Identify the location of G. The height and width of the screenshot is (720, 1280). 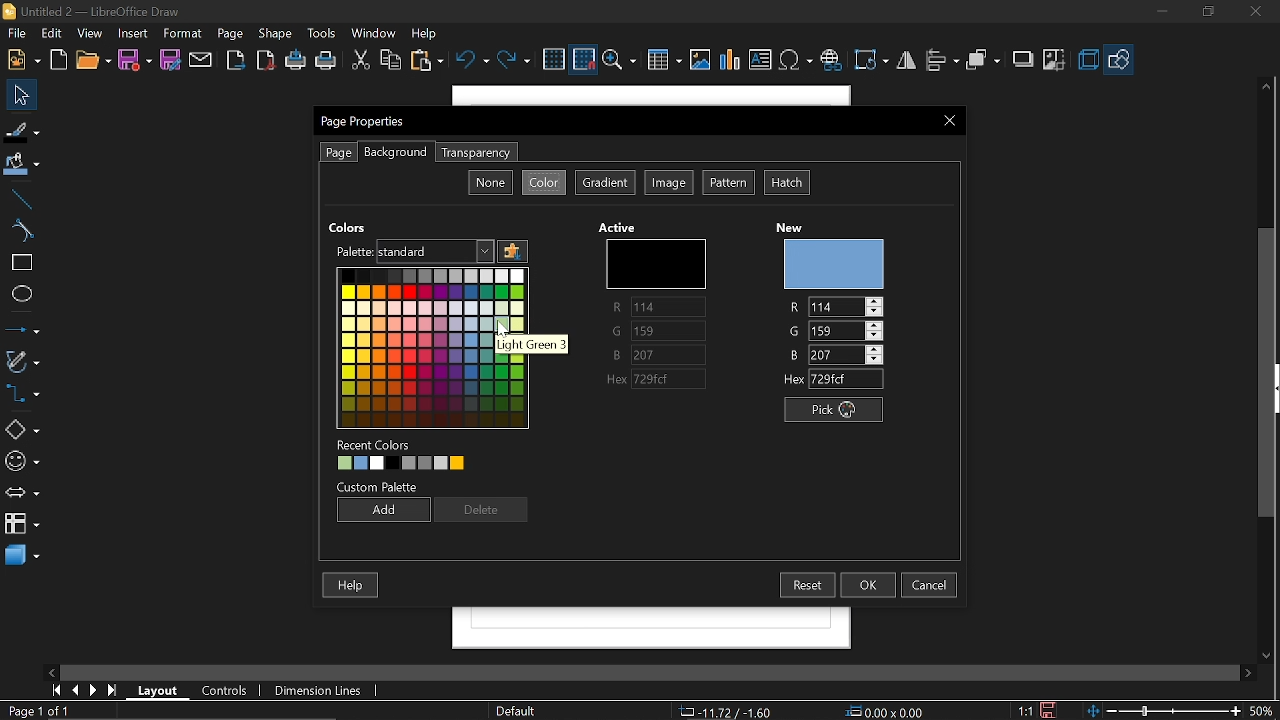
(835, 330).